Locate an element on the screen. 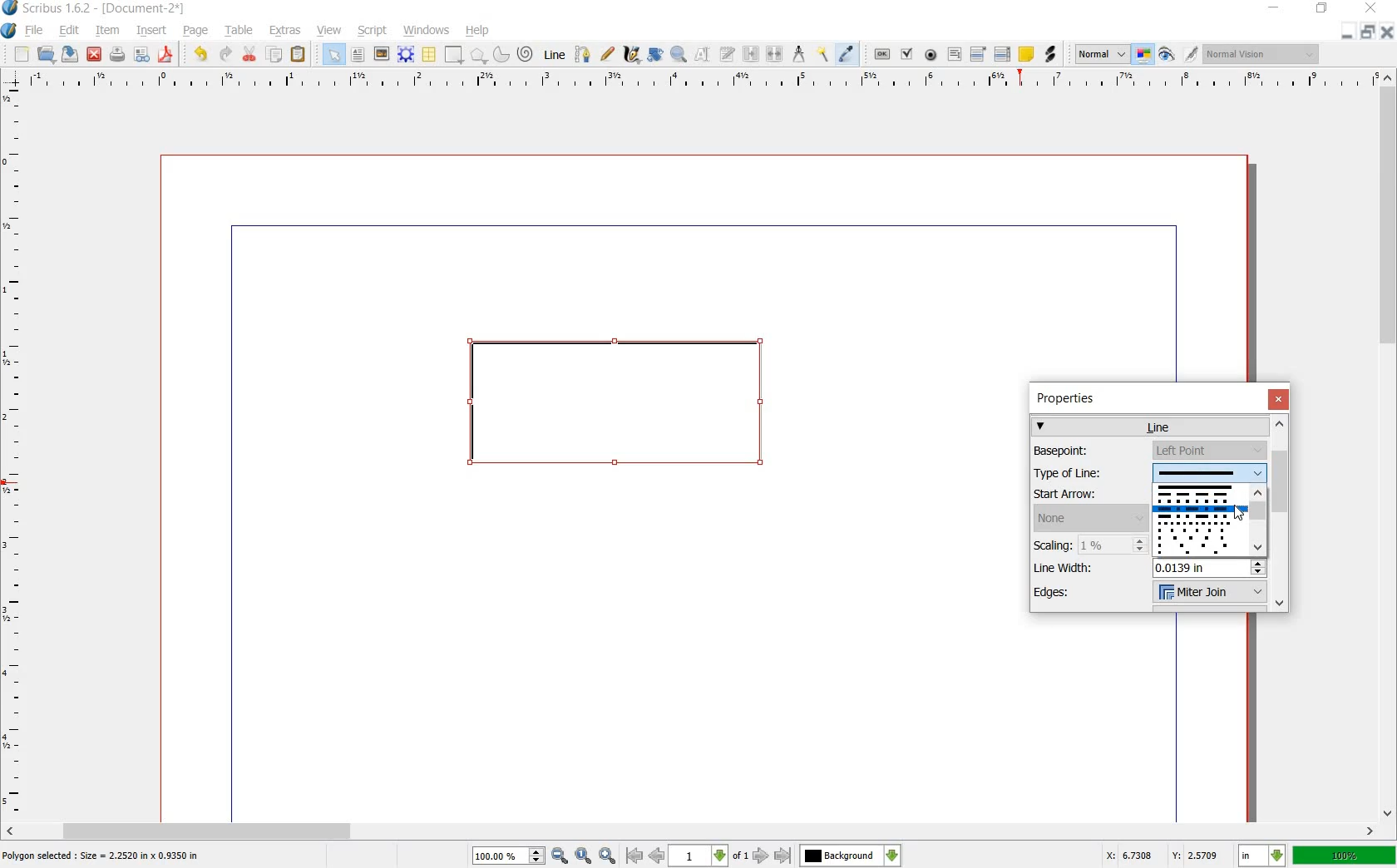  EDIT TEXT WITH STORY EDITOR is located at coordinates (728, 55).